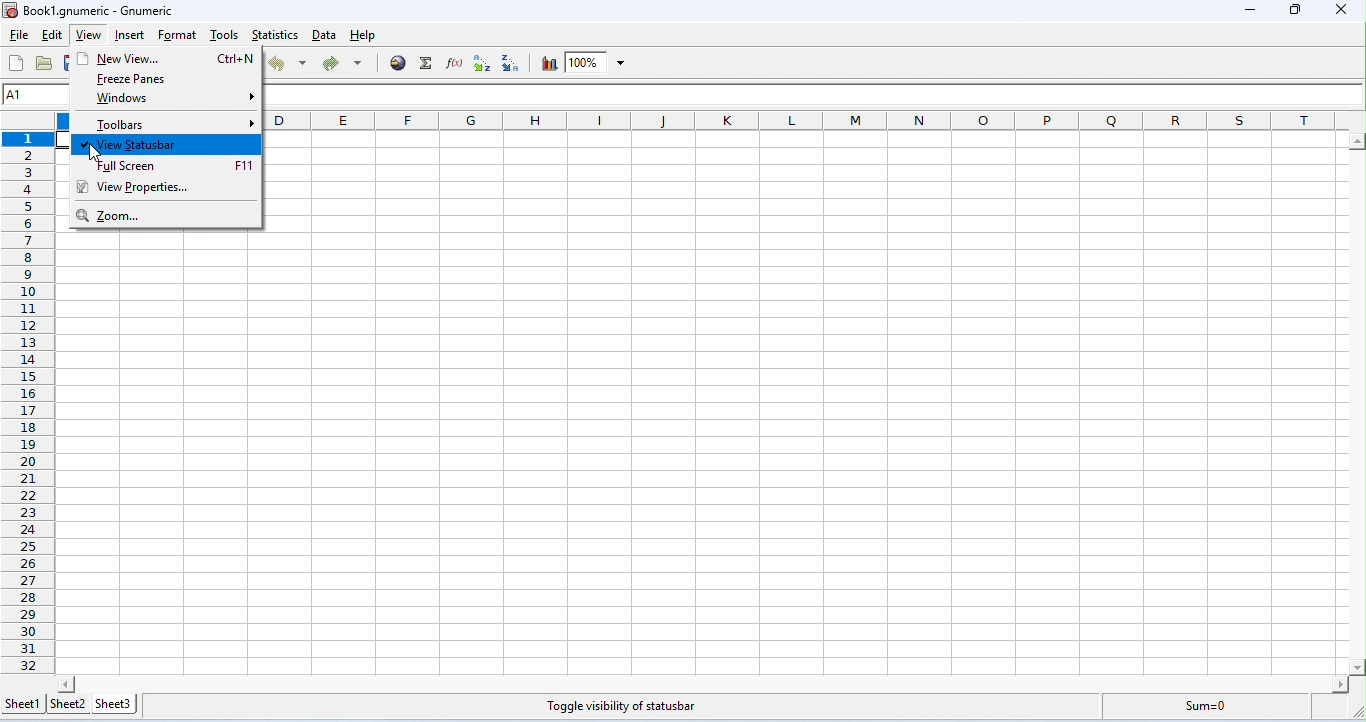  I want to click on cursor movement, so click(96, 155).